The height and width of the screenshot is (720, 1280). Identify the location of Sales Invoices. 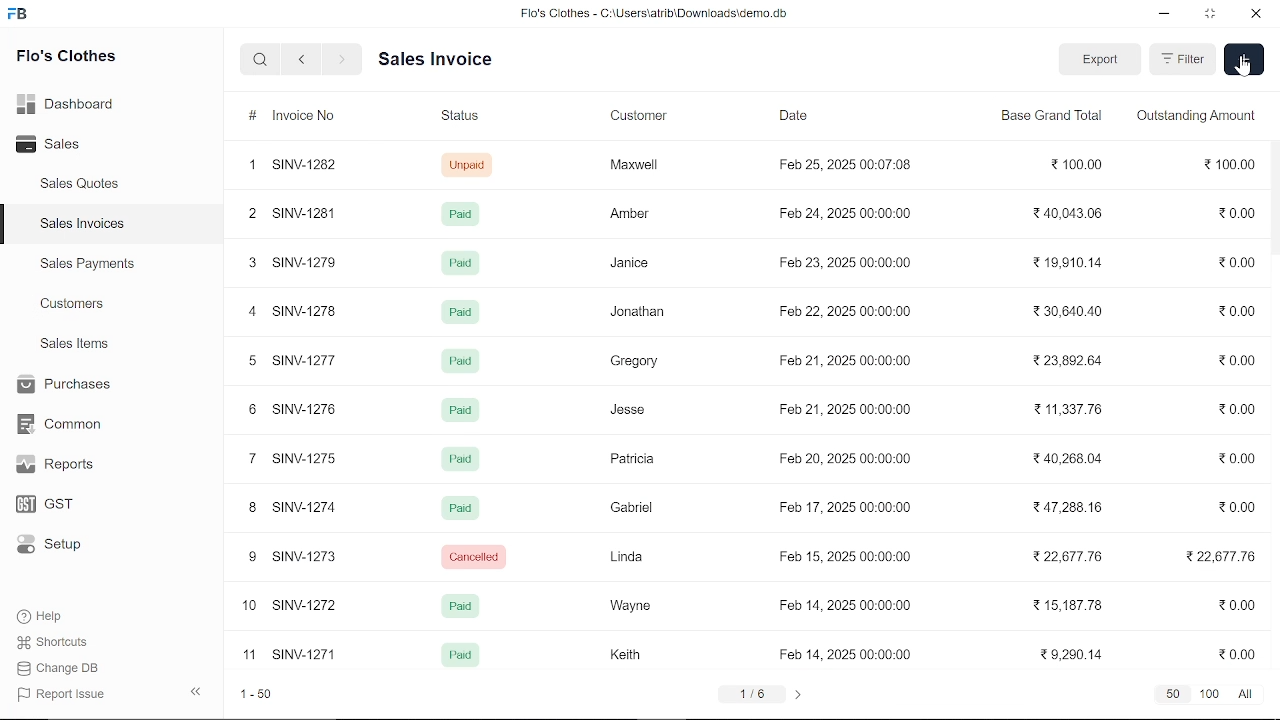
(89, 226).